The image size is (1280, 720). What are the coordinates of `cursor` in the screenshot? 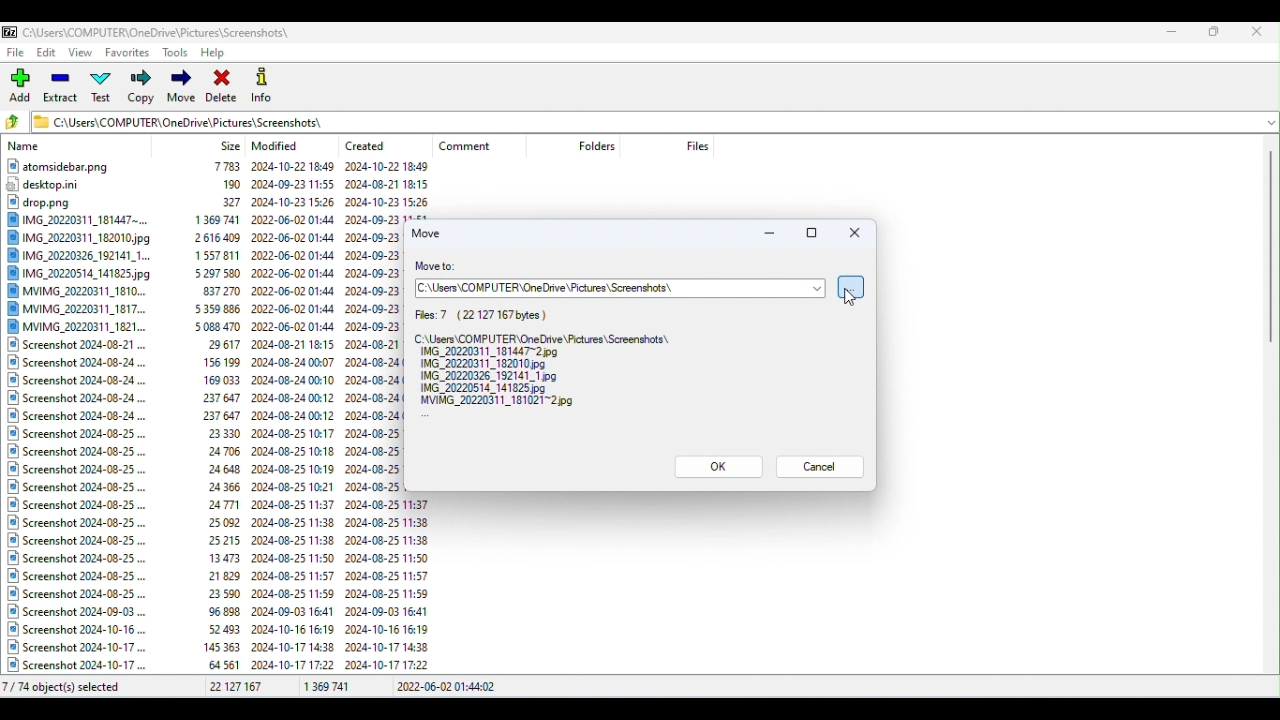 It's located at (849, 298).